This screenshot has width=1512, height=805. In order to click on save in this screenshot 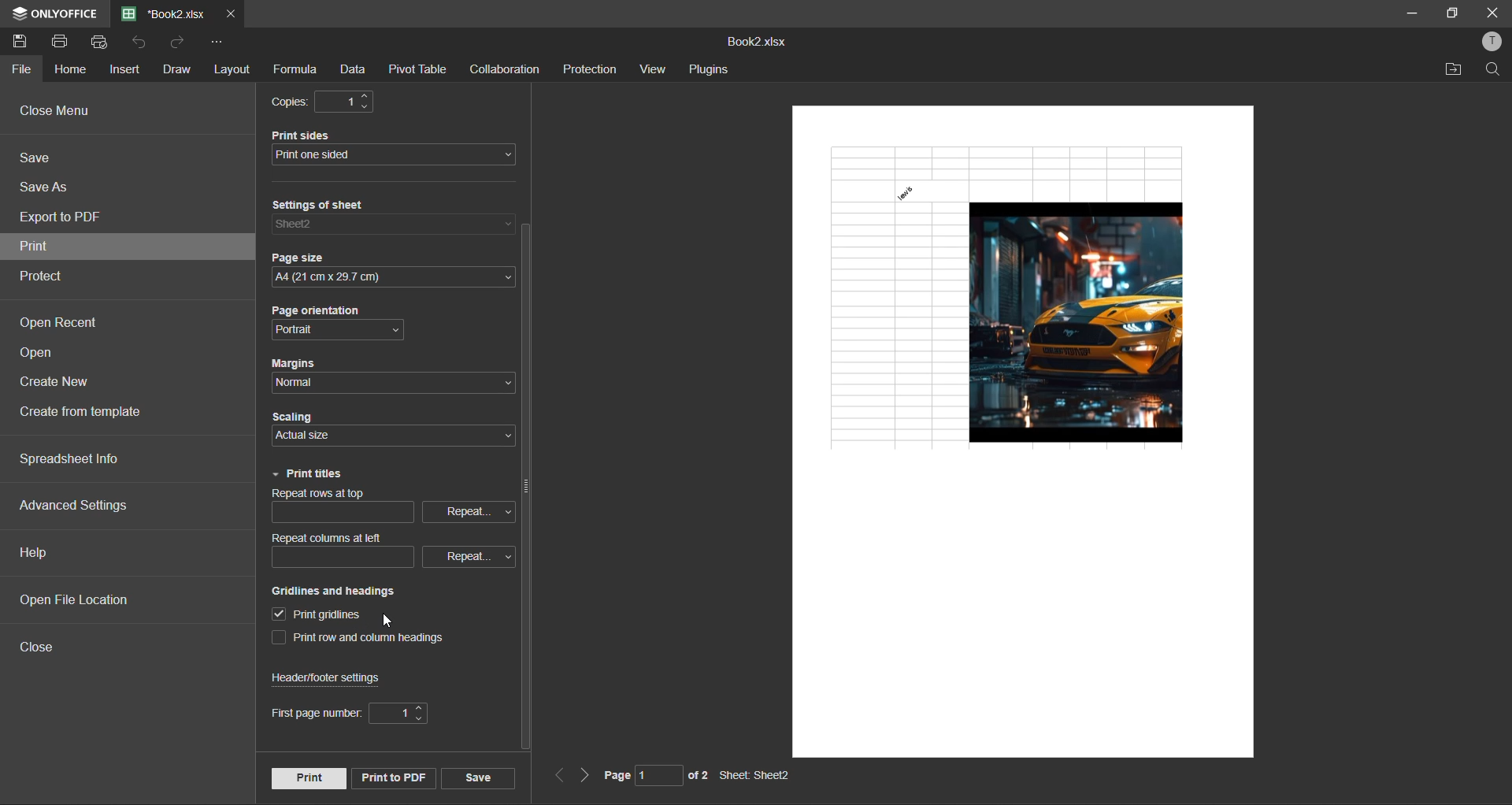, I will do `click(20, 42)`.